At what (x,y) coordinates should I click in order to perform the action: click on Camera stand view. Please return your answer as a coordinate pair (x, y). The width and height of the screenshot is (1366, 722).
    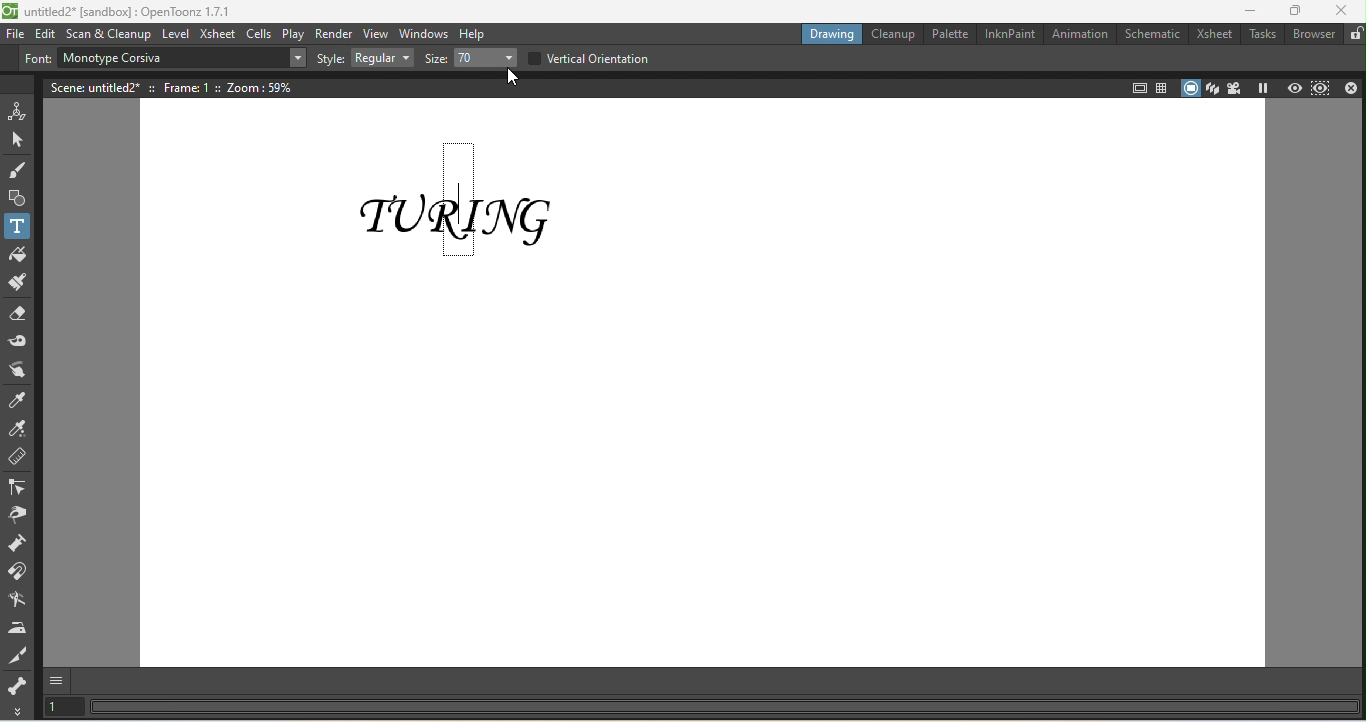
    Looking at the image, I should click on (1189, 87).